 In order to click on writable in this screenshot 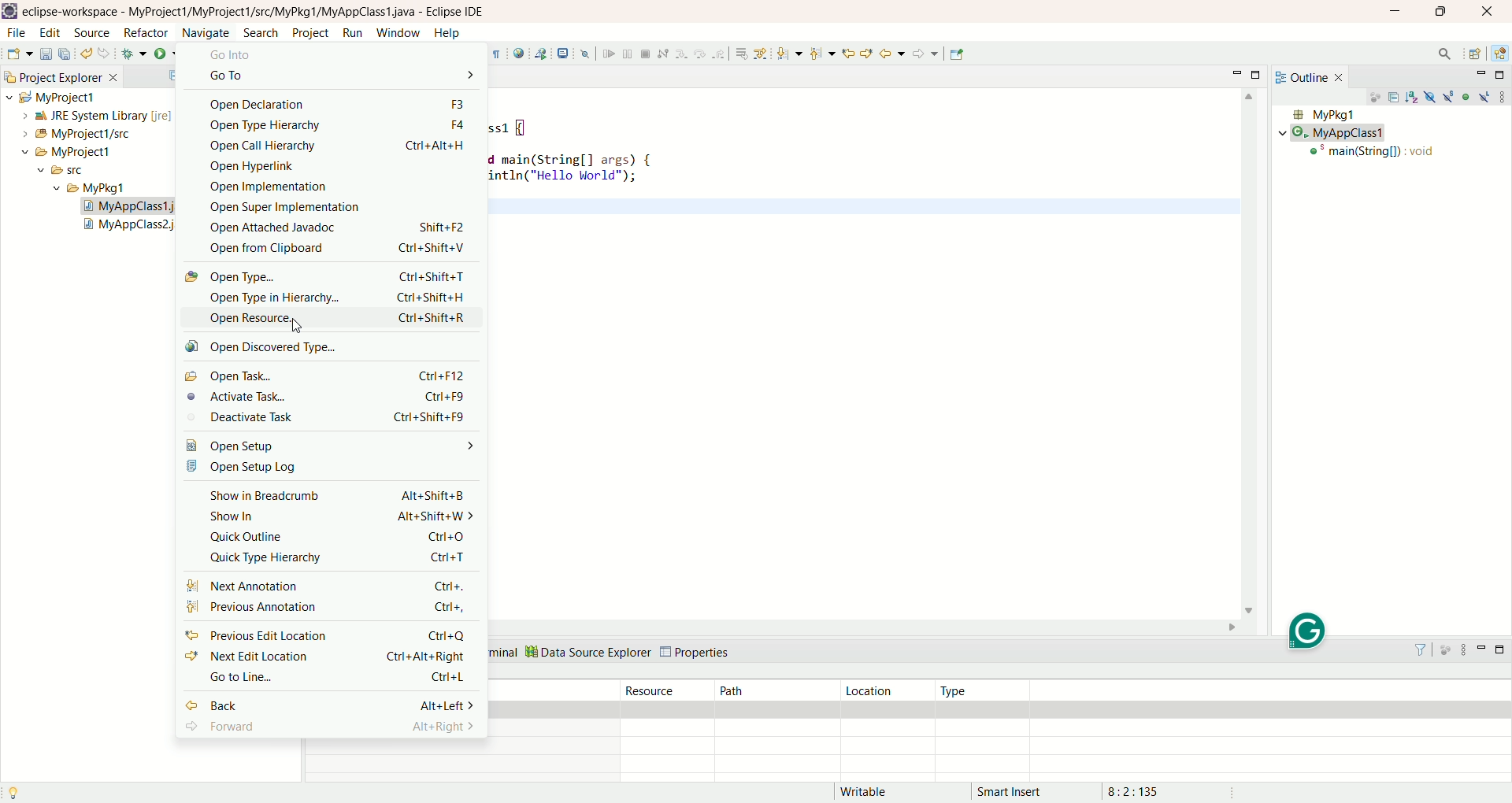, I will do `click(873, 792)`.